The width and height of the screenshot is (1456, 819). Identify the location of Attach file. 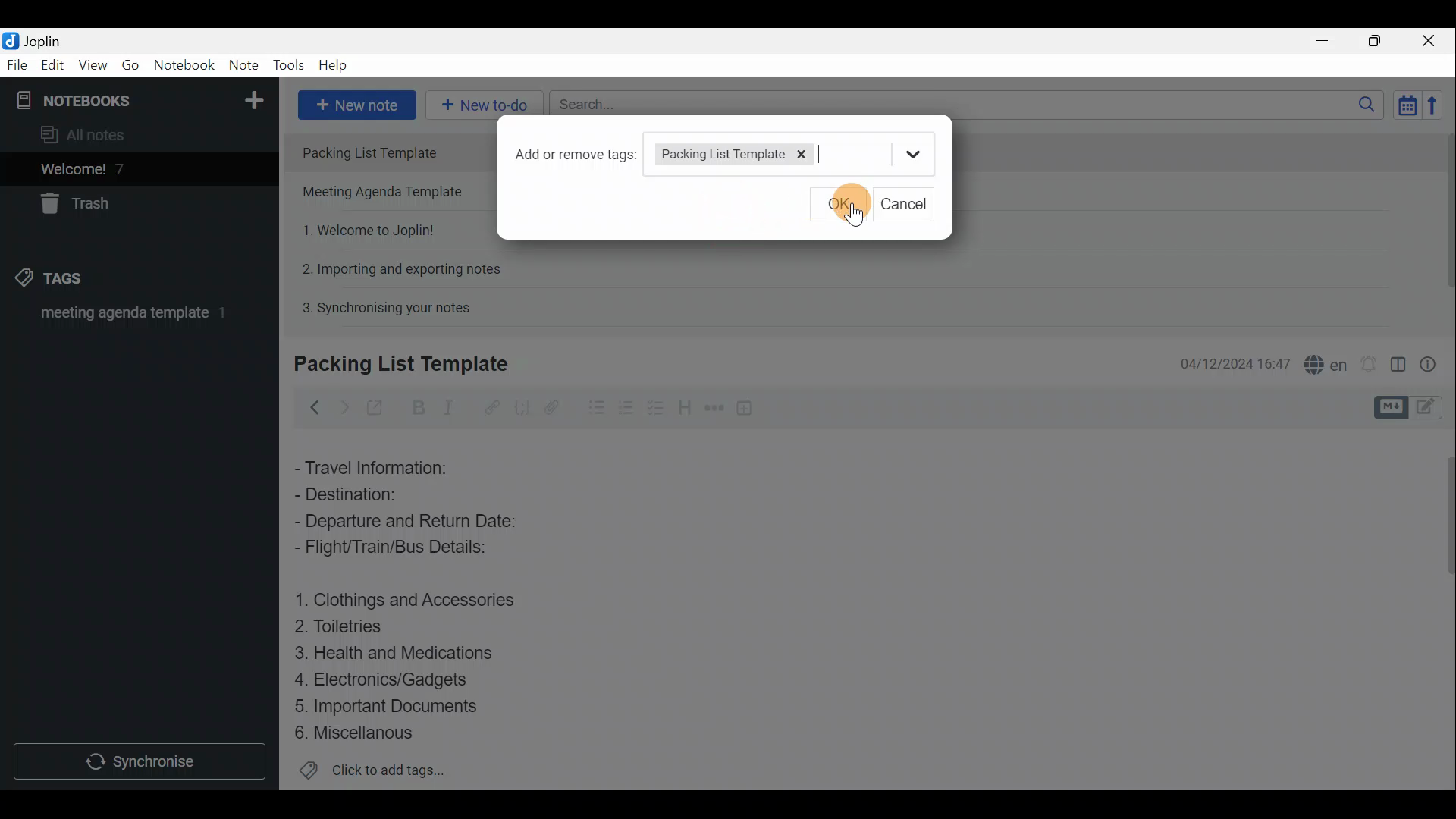
(552, 406).